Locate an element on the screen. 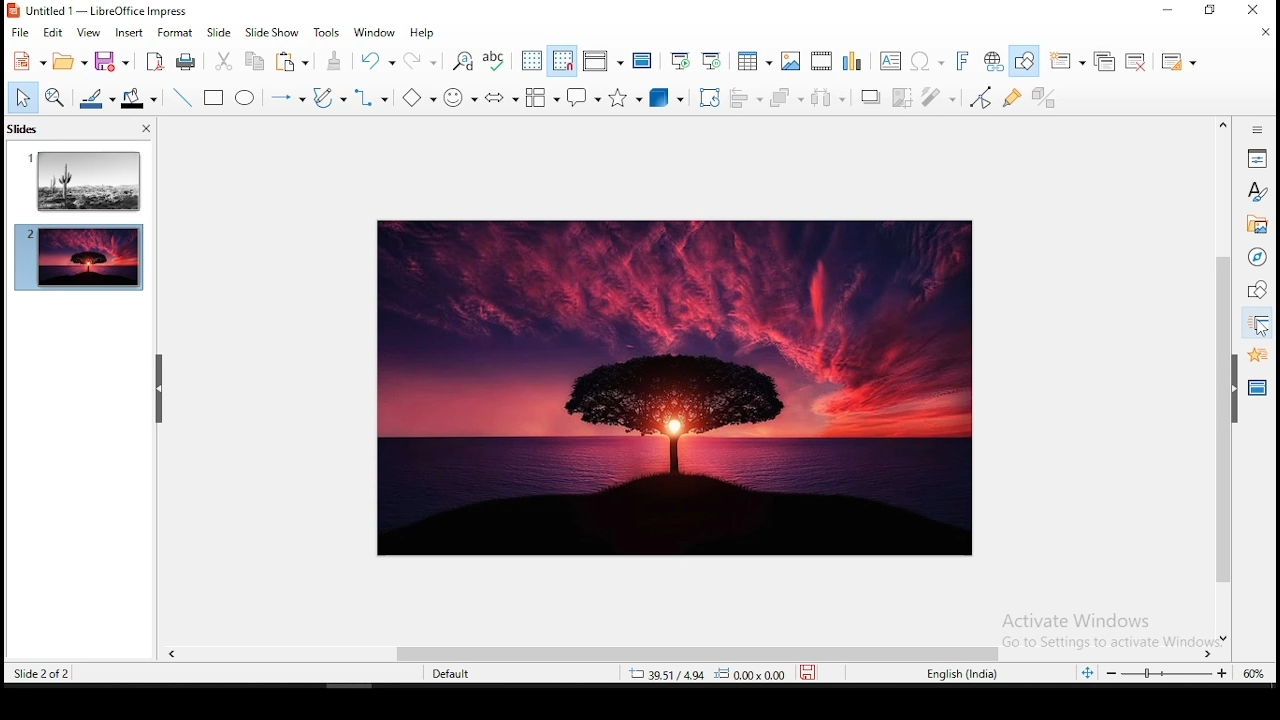 The height and width of the screenshot is (720, 1280). crop image is located at coordinates (903, 97).